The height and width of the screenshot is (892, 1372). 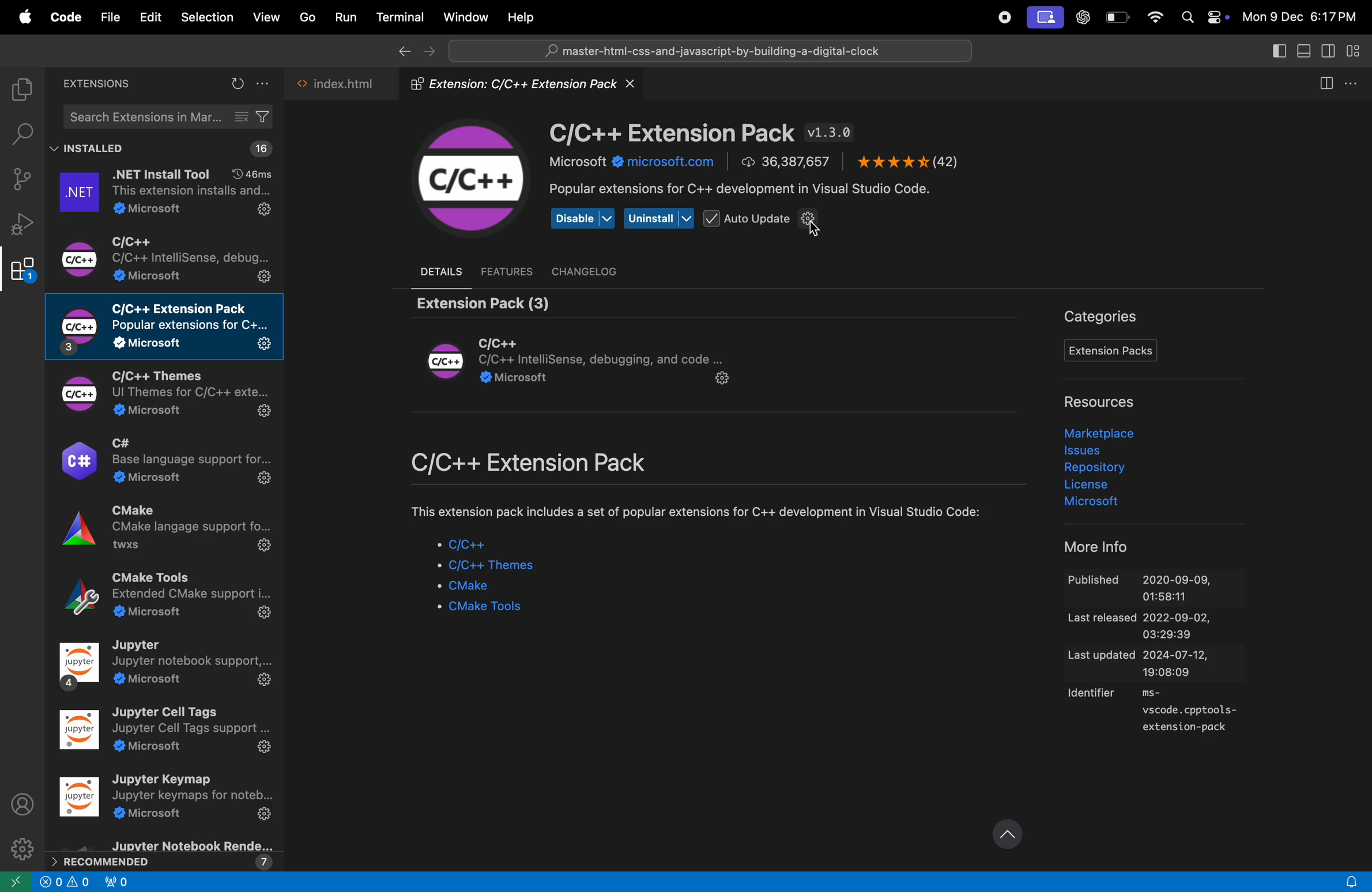 What do you see at coordinates (1045, 18) in the screenshot?
I see `screen ui` at bounding box center [1045, 18].